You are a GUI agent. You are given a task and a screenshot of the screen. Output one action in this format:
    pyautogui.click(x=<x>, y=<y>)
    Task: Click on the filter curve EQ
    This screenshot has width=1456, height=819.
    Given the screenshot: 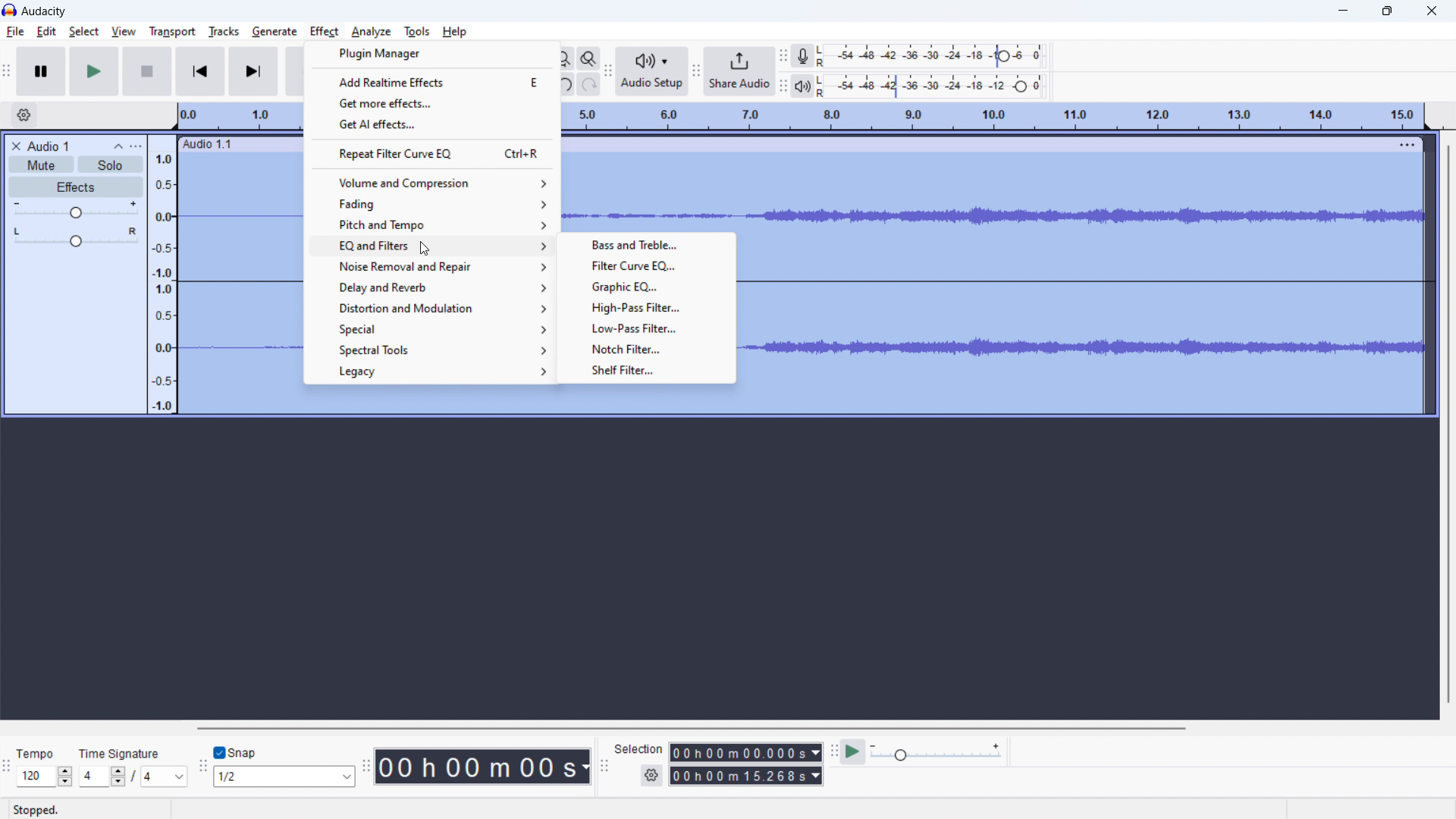 What is the action you would take?
    pyautogui.click(x=645, y=265)
    